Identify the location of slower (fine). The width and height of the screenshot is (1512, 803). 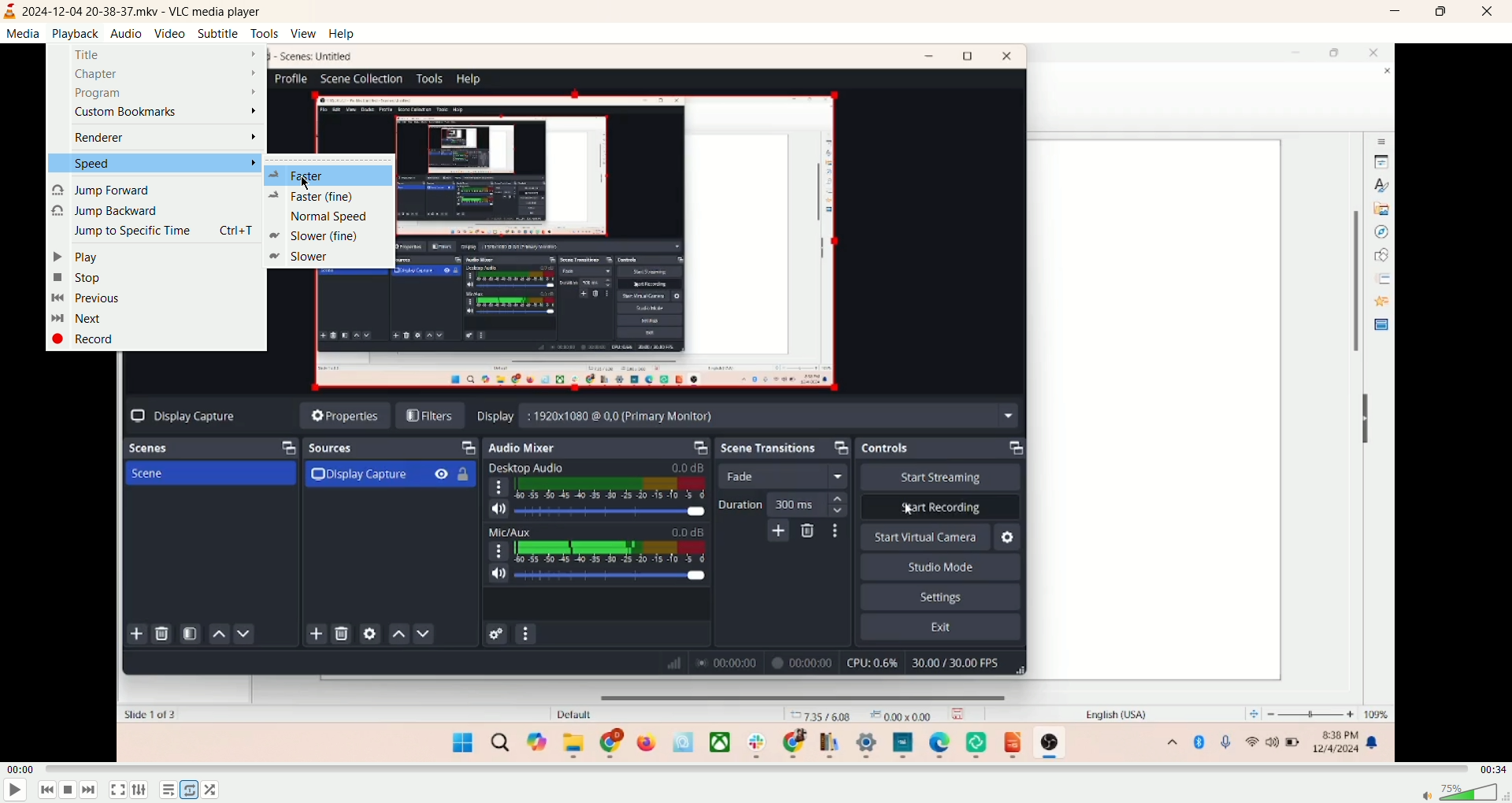
(321, 235).